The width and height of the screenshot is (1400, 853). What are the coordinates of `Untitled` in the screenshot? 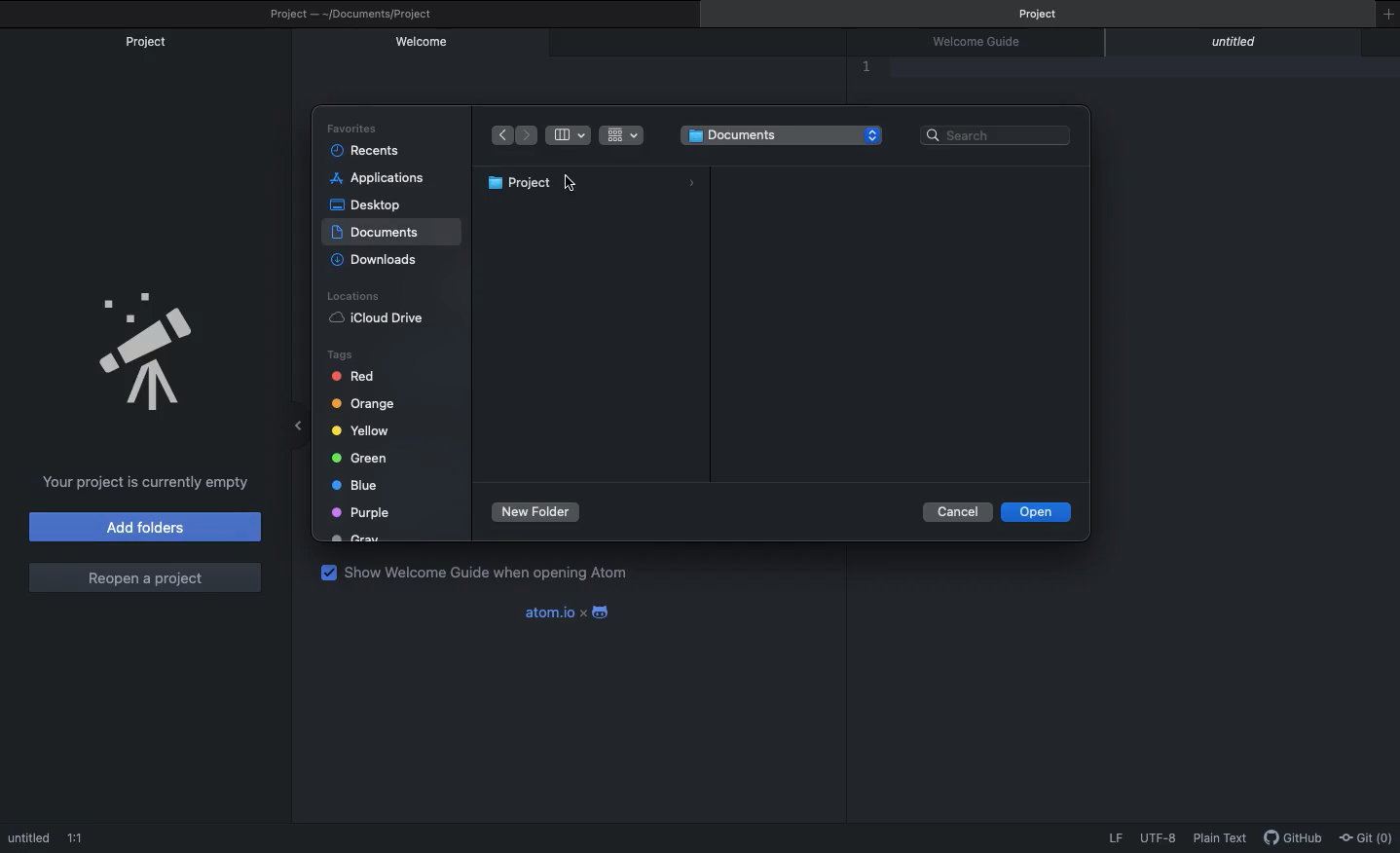 It's located at (1239, 44).